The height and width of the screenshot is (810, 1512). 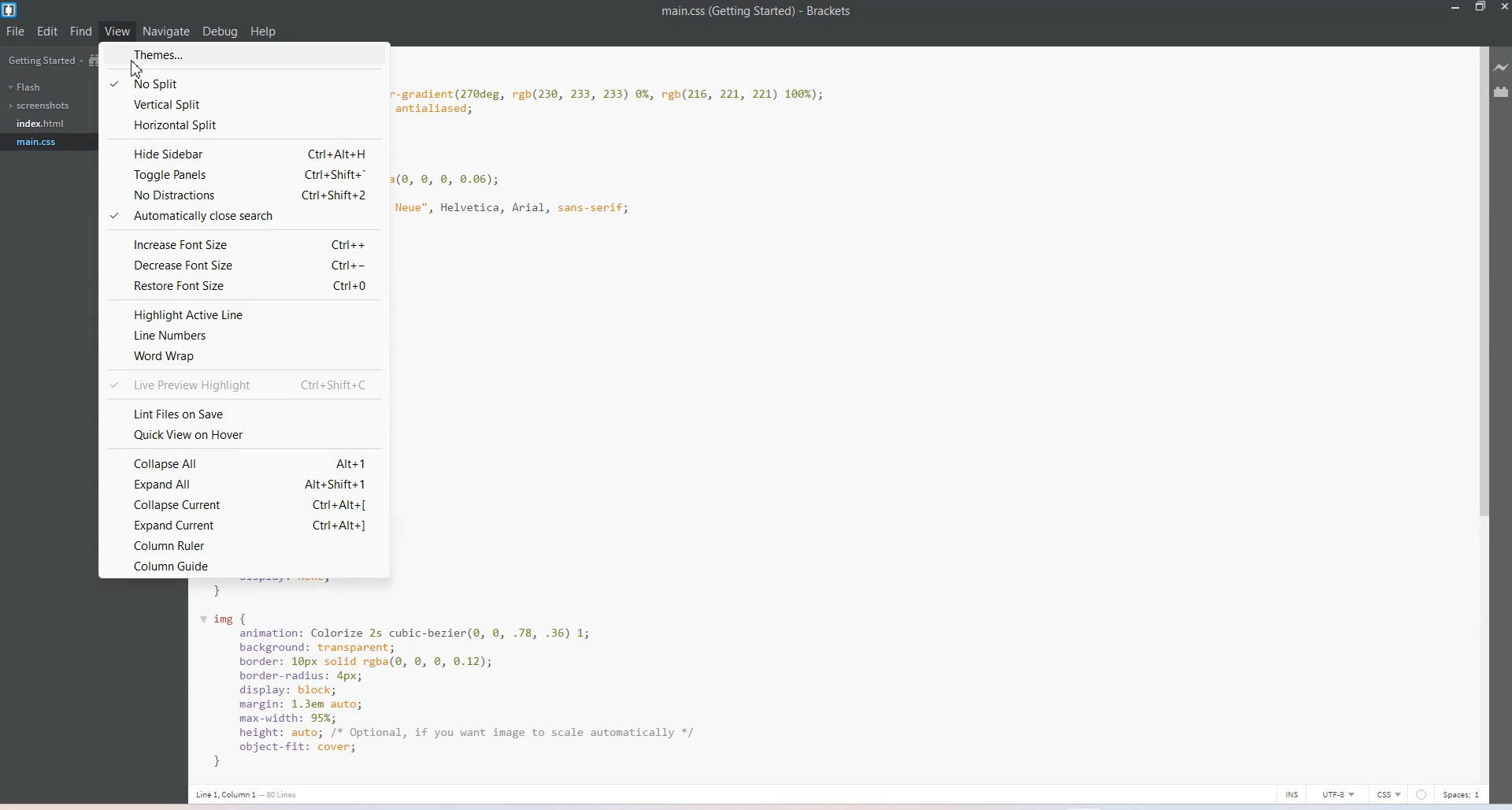 I want to click on Live preview, so click(x=1503, y=66).